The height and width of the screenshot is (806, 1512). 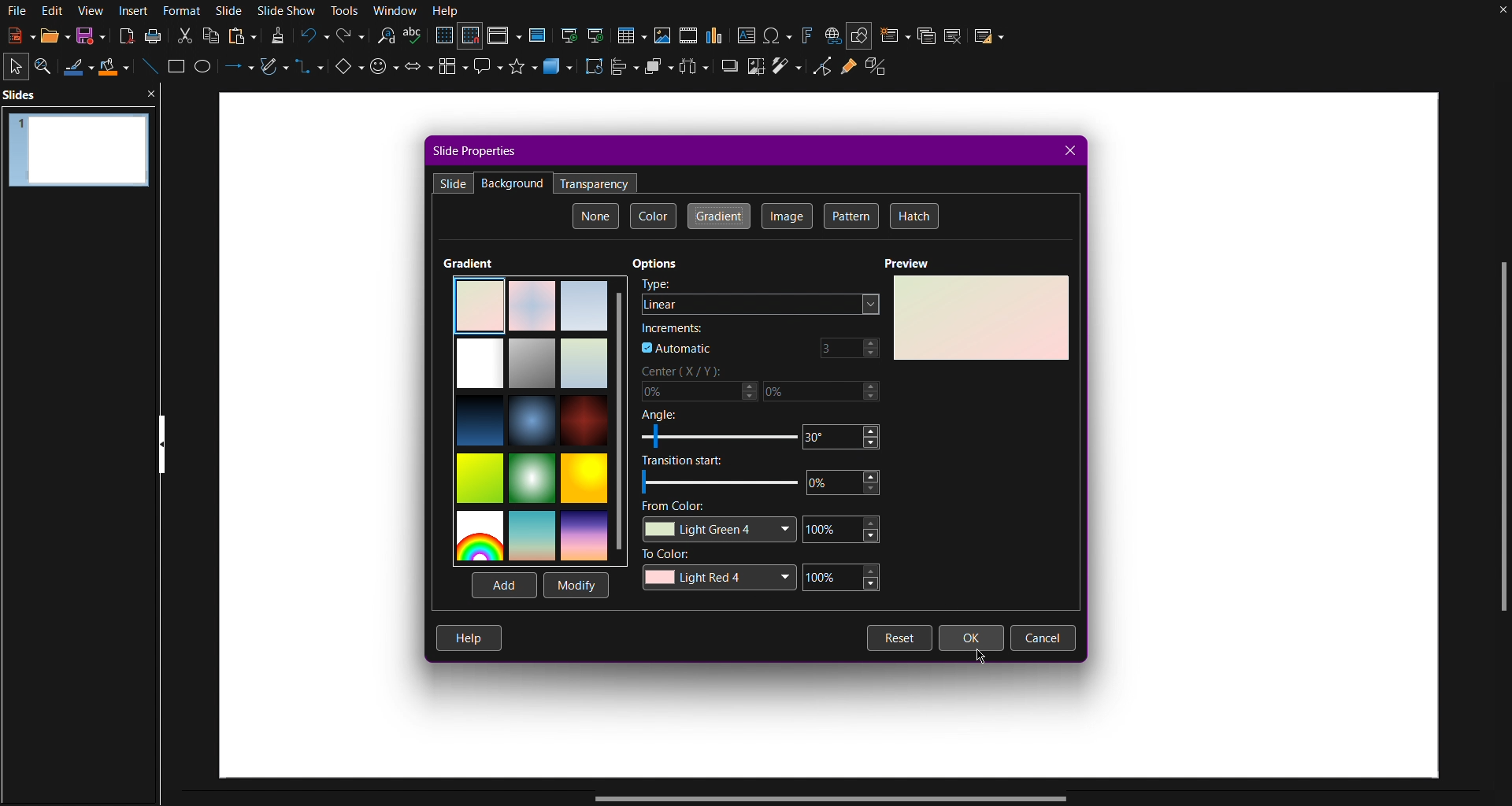 I want to click on Snap to Grid, so click(x=471, y=37).